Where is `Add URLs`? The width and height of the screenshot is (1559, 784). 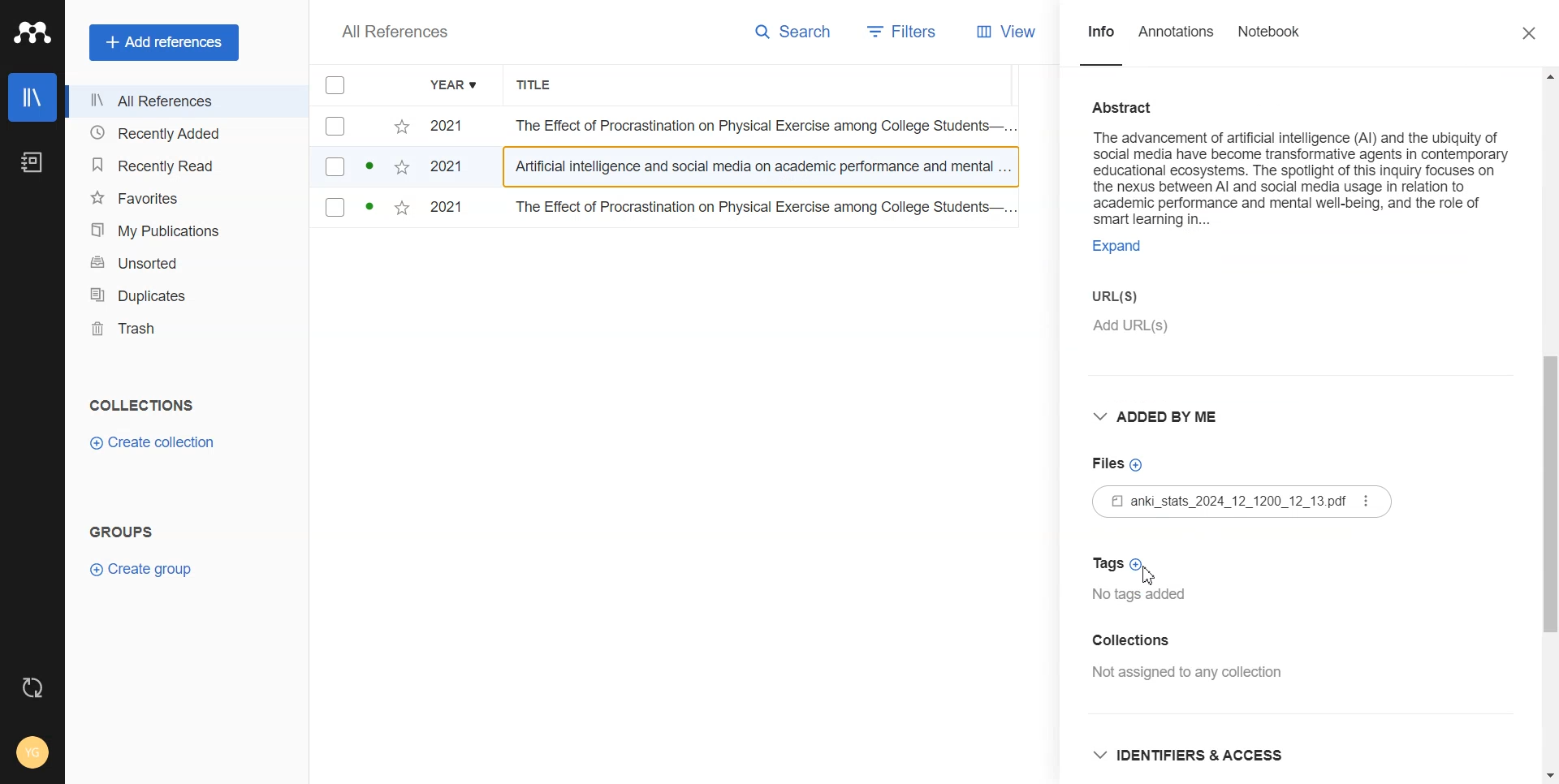 Add URLs is located at coordinates (1219, 334).